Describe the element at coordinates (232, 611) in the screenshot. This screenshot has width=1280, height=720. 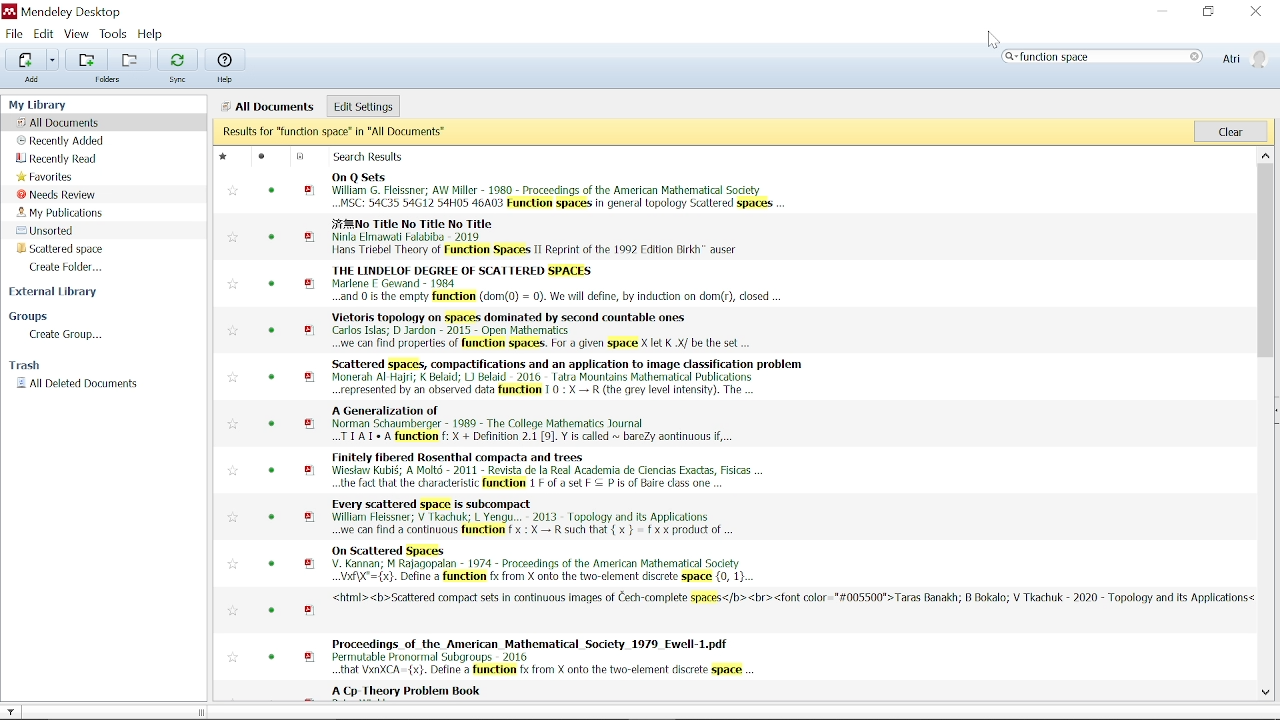
I see `Add to favorite` at that location.